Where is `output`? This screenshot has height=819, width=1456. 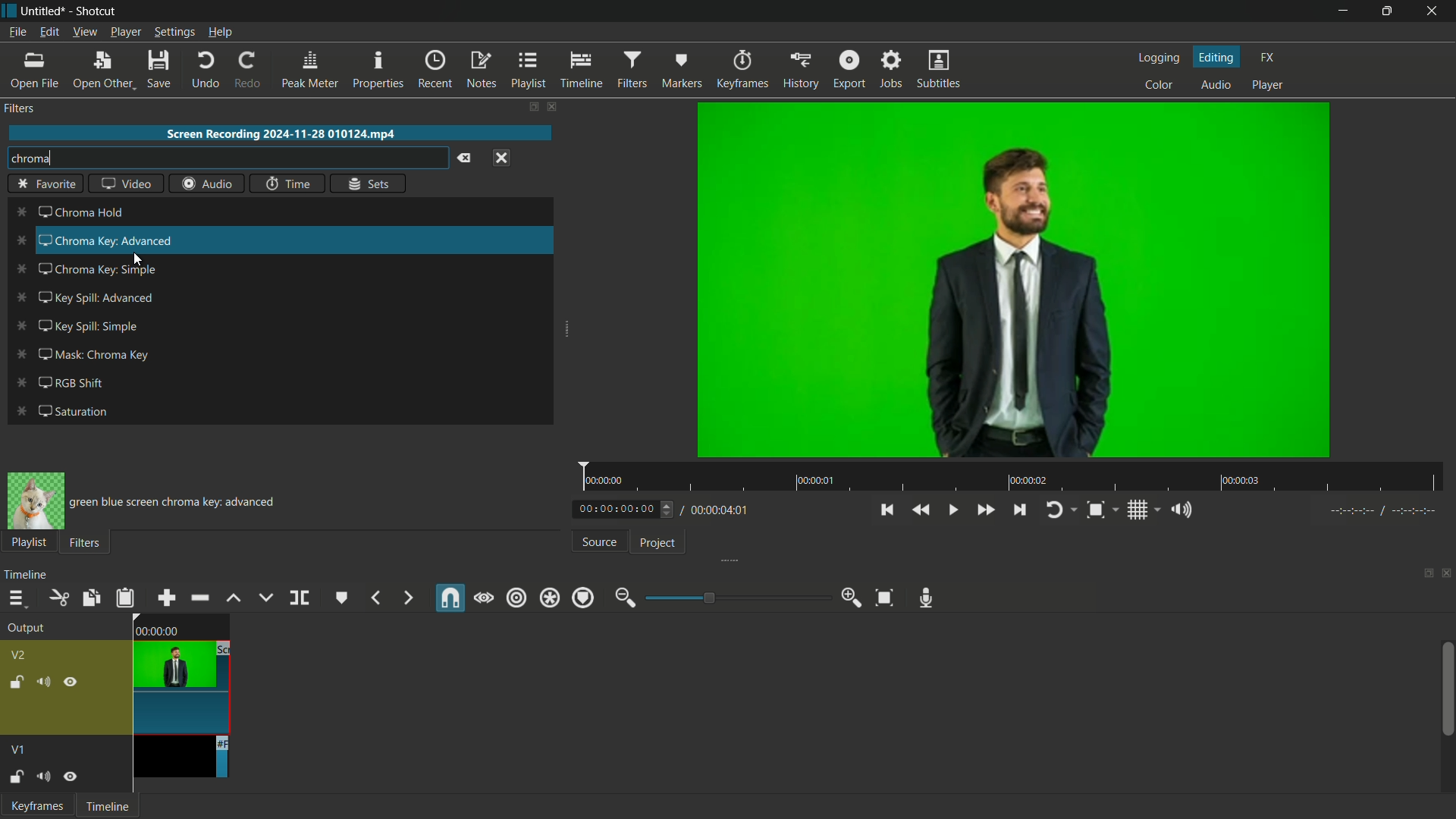 output is located at coordinates (24, 627).